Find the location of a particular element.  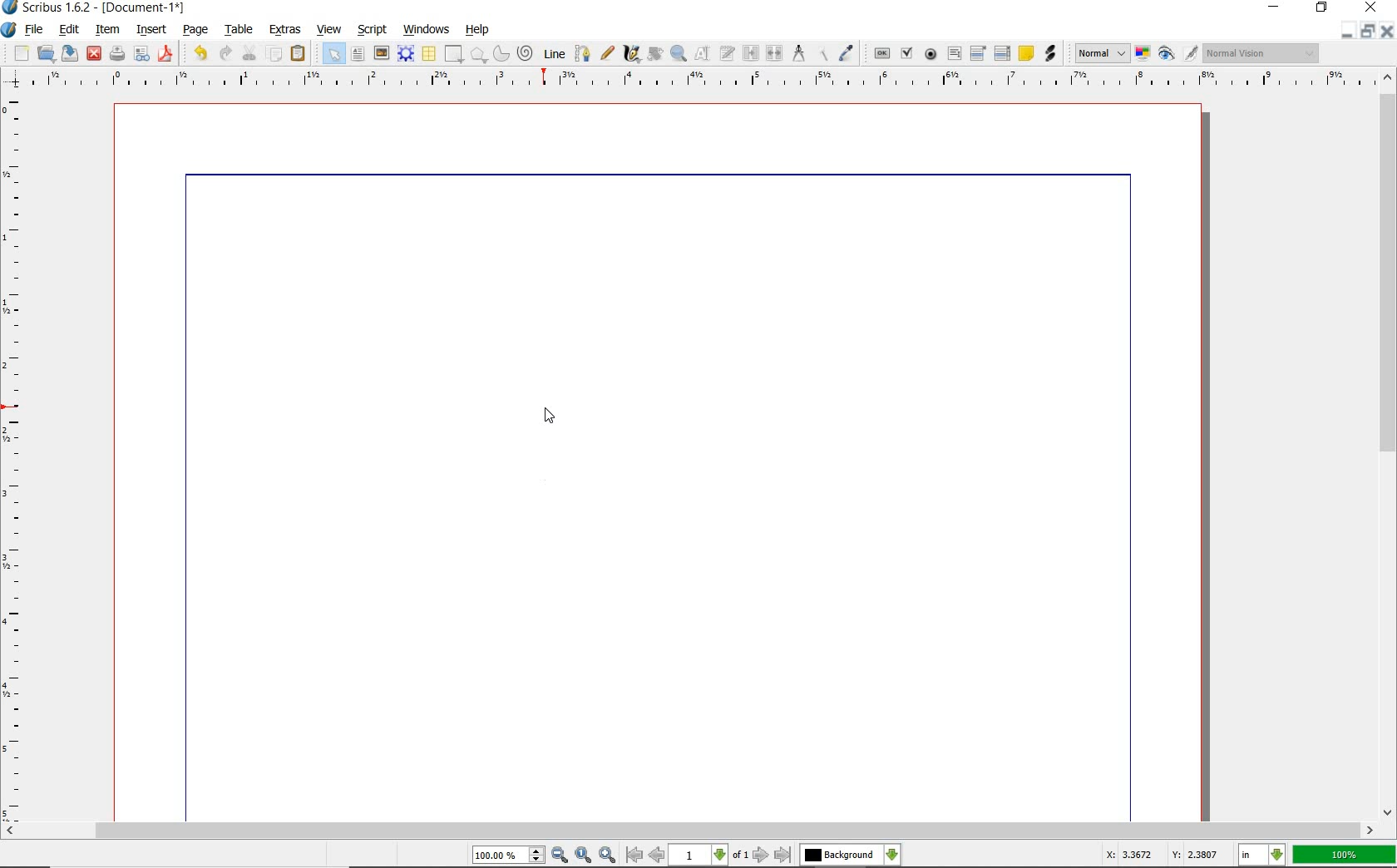

spiral is located at coordinates (526, 52).